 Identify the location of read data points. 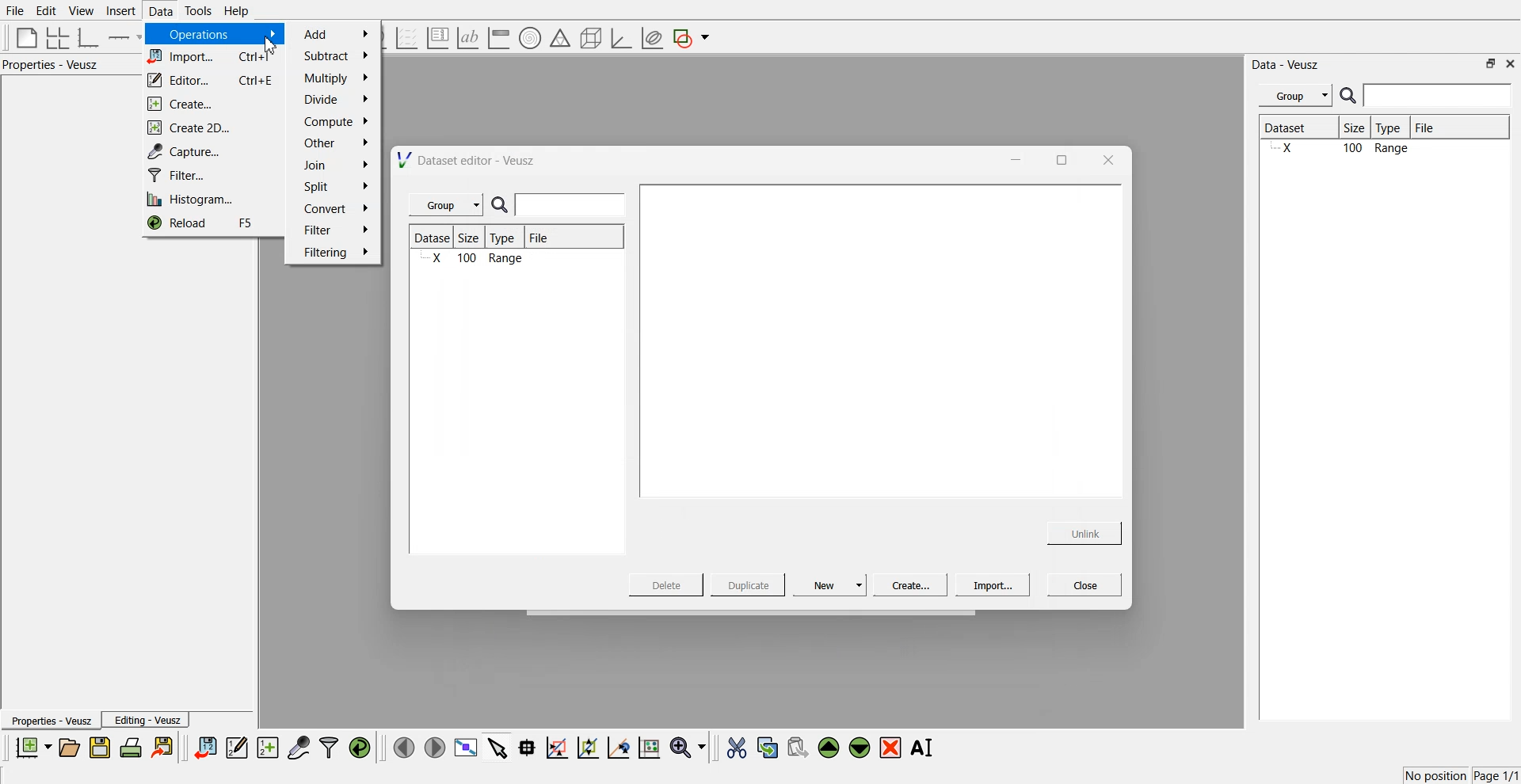
(527, 748).